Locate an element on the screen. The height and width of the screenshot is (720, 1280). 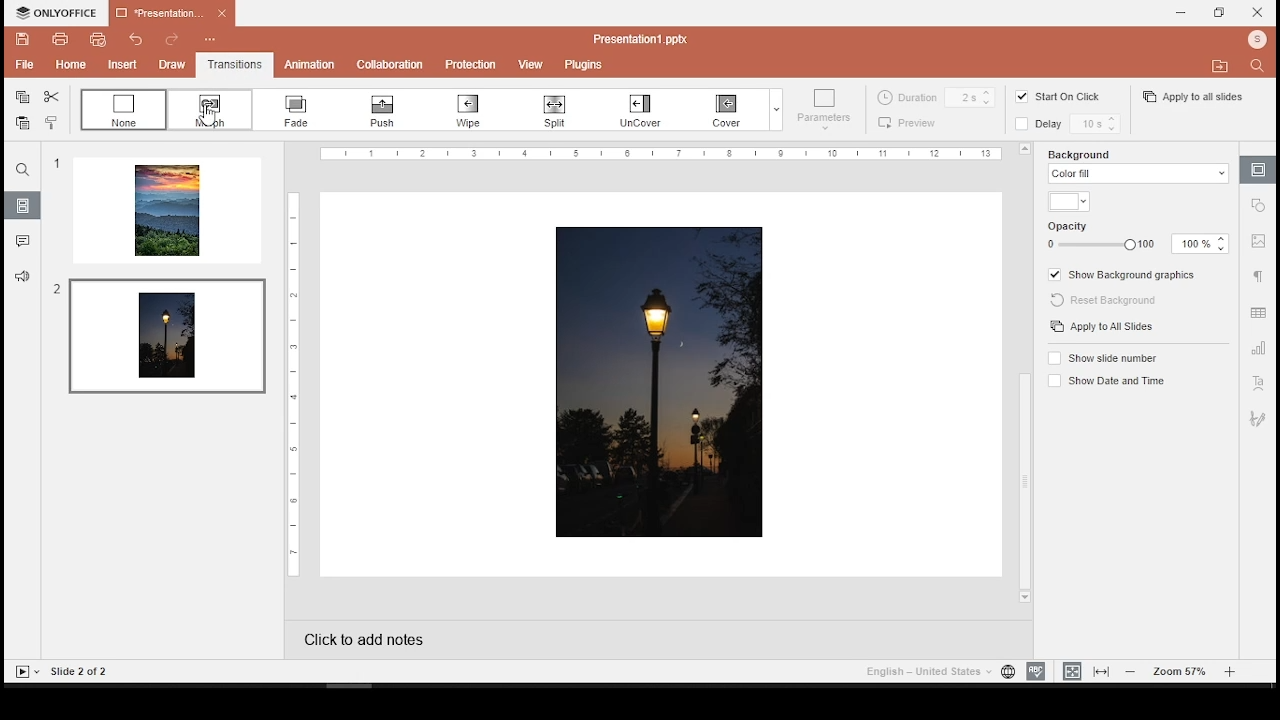
search is located at coordinates (1260, 69).